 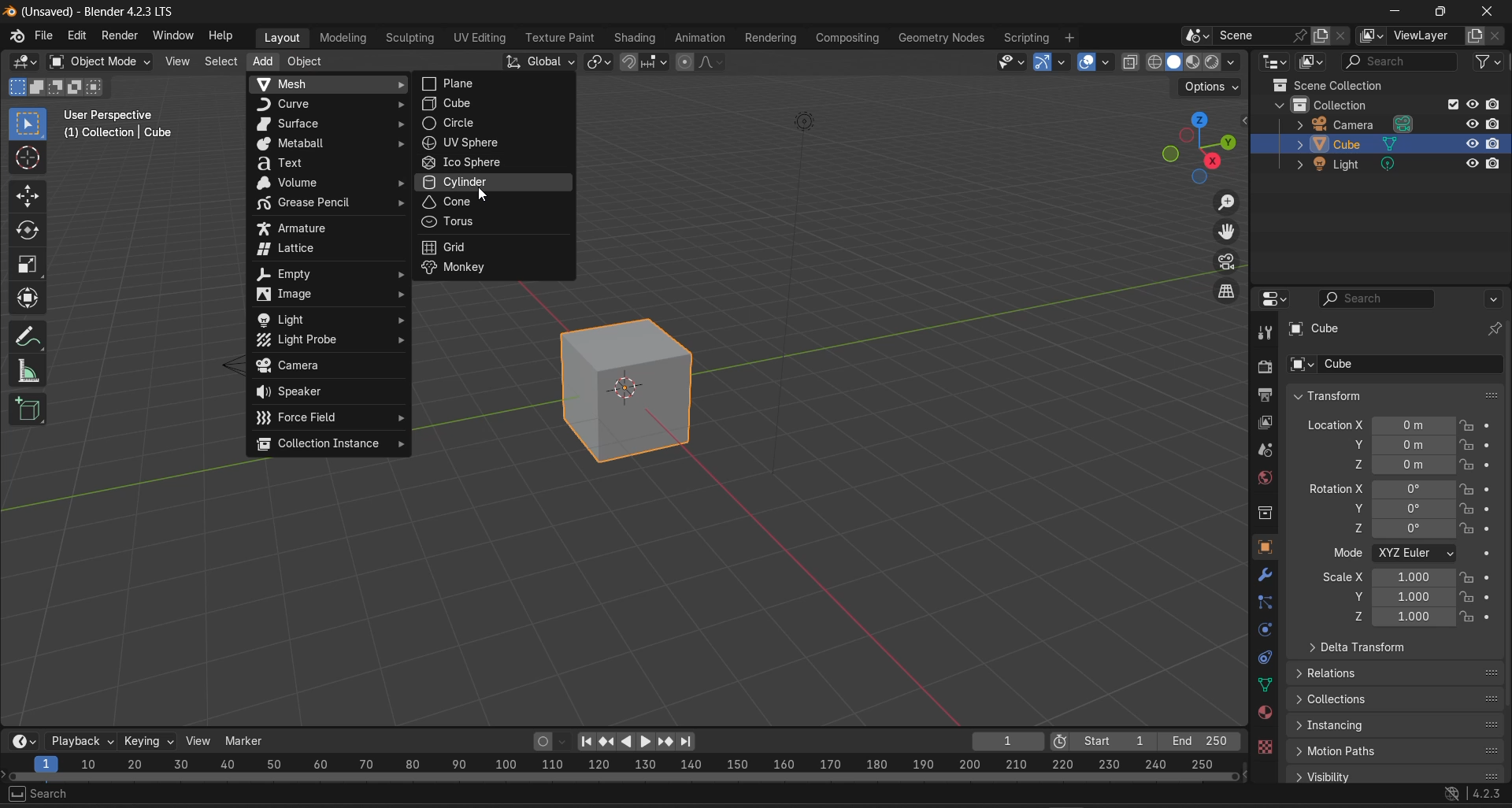 I want to click on location y, so click(x=1403, y=444).